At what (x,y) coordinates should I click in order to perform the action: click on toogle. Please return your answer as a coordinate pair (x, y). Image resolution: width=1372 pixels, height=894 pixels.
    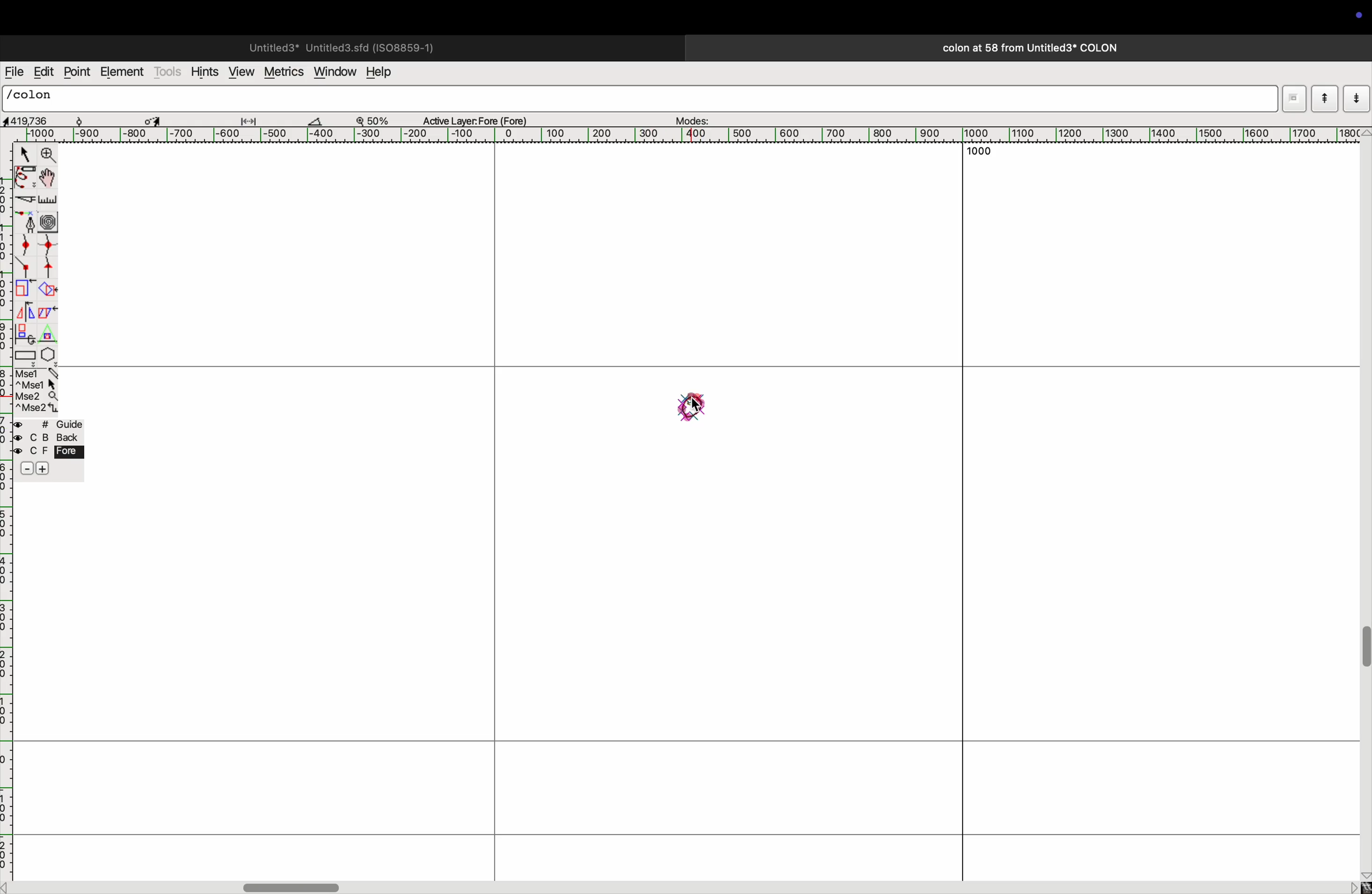
    Looking at the image, I should click on (47, 179).